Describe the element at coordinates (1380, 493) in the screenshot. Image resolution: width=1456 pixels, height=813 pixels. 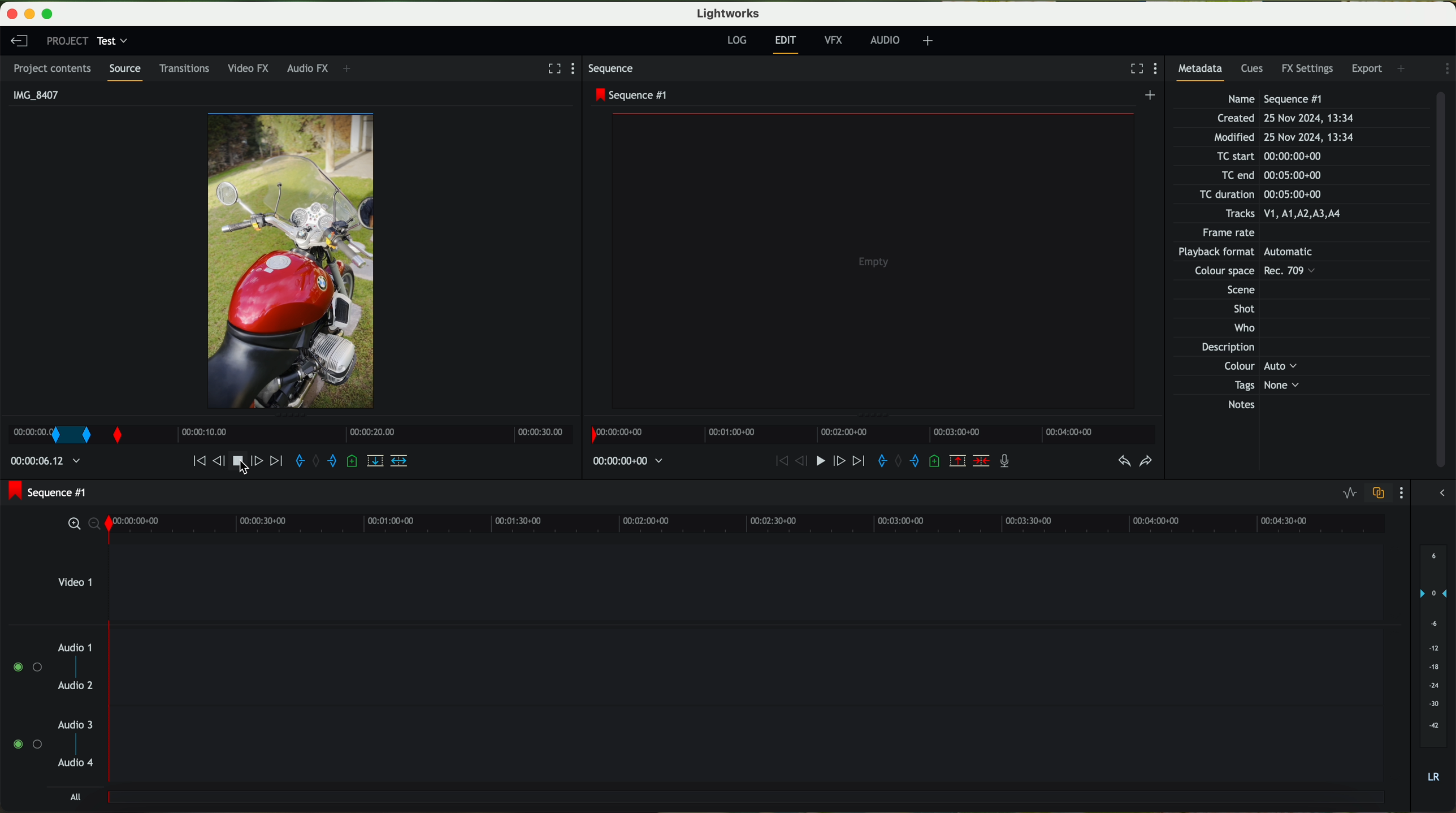
I see `toggle audio track sync` at that location.